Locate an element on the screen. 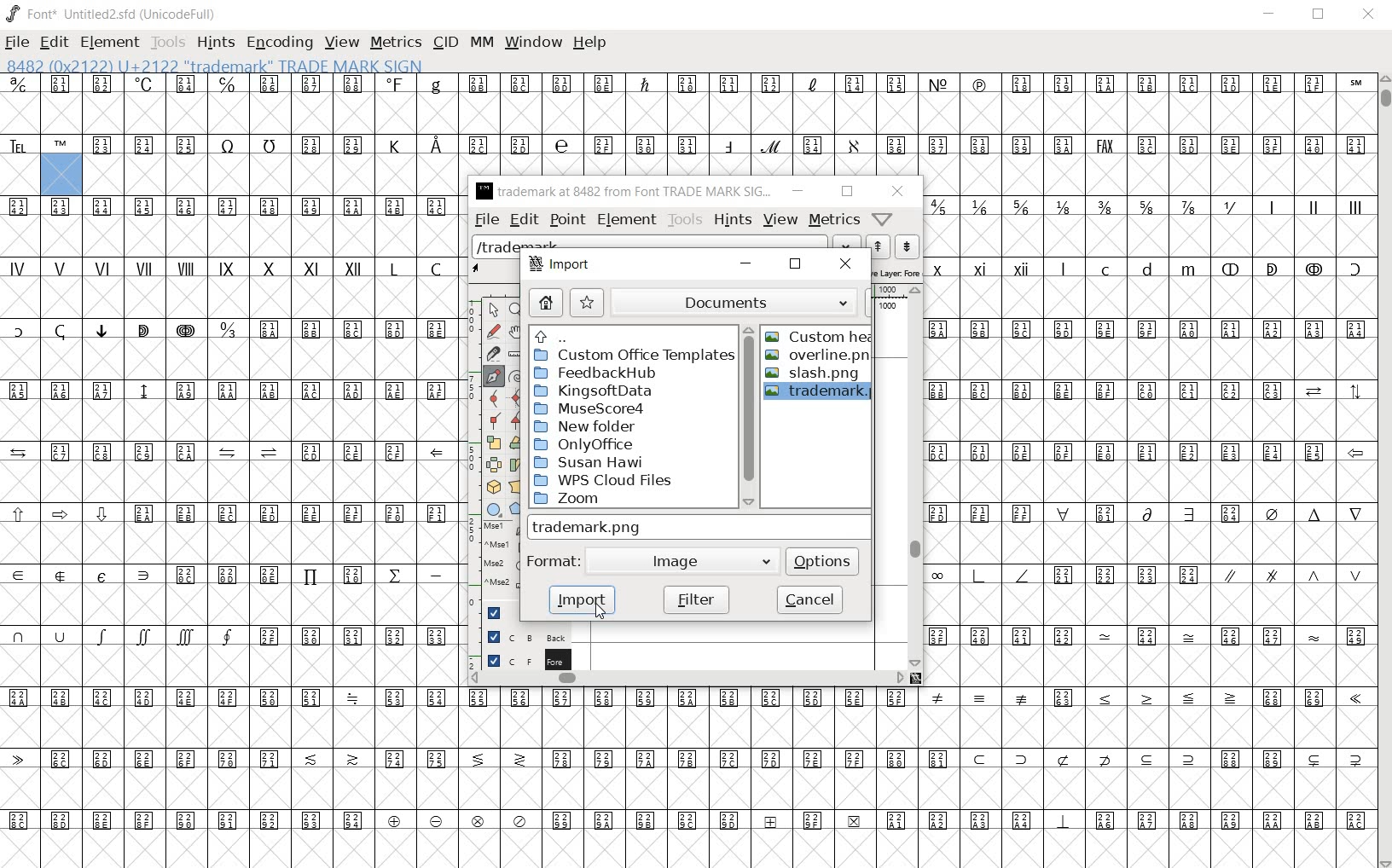  Help/Window is located at coordinates (883, 217).